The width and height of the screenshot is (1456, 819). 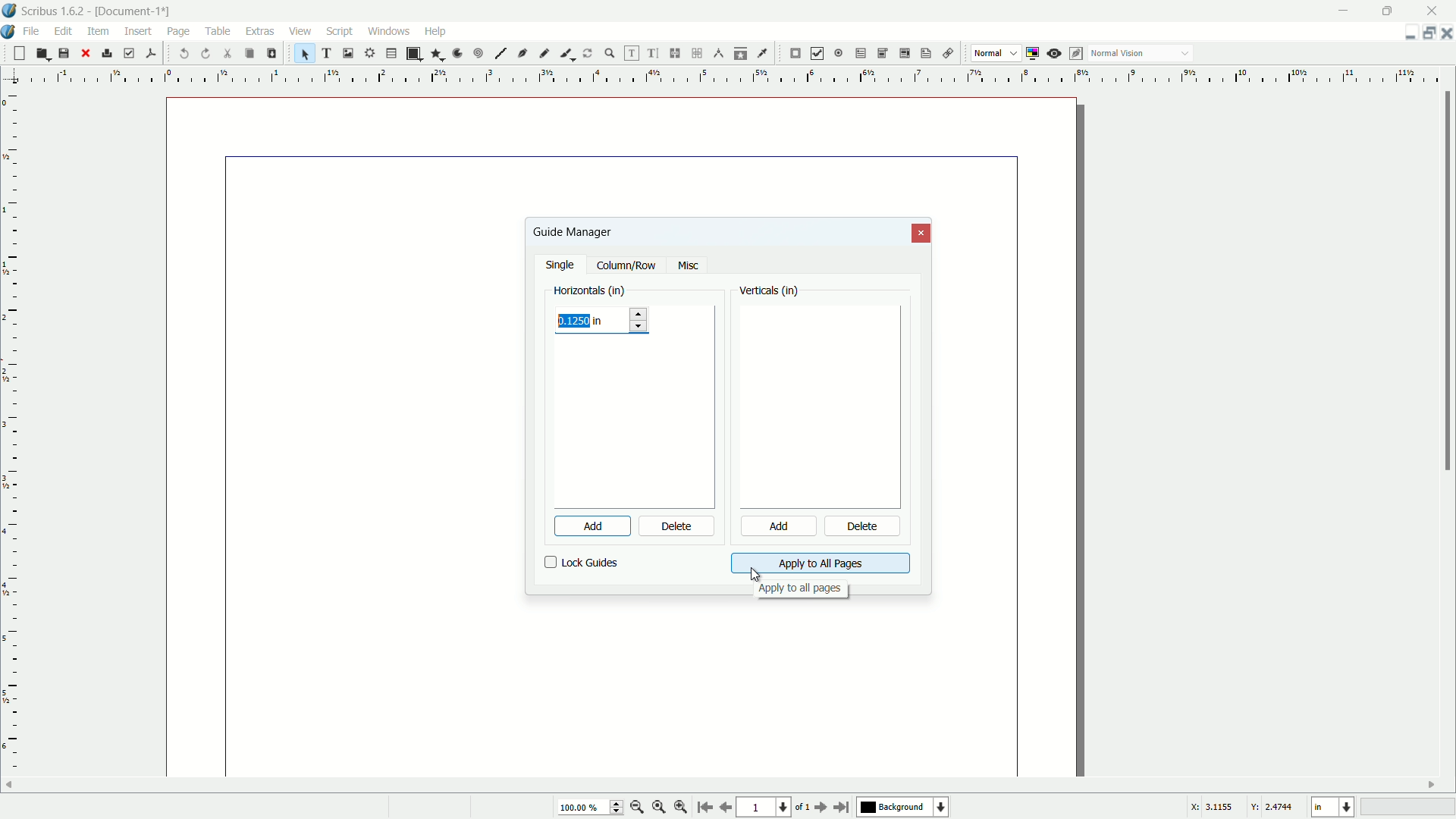 What do you see at coordinates (1119, 54) in the screenshot?
I see `normal vision` at bounding box center [1119, 54].